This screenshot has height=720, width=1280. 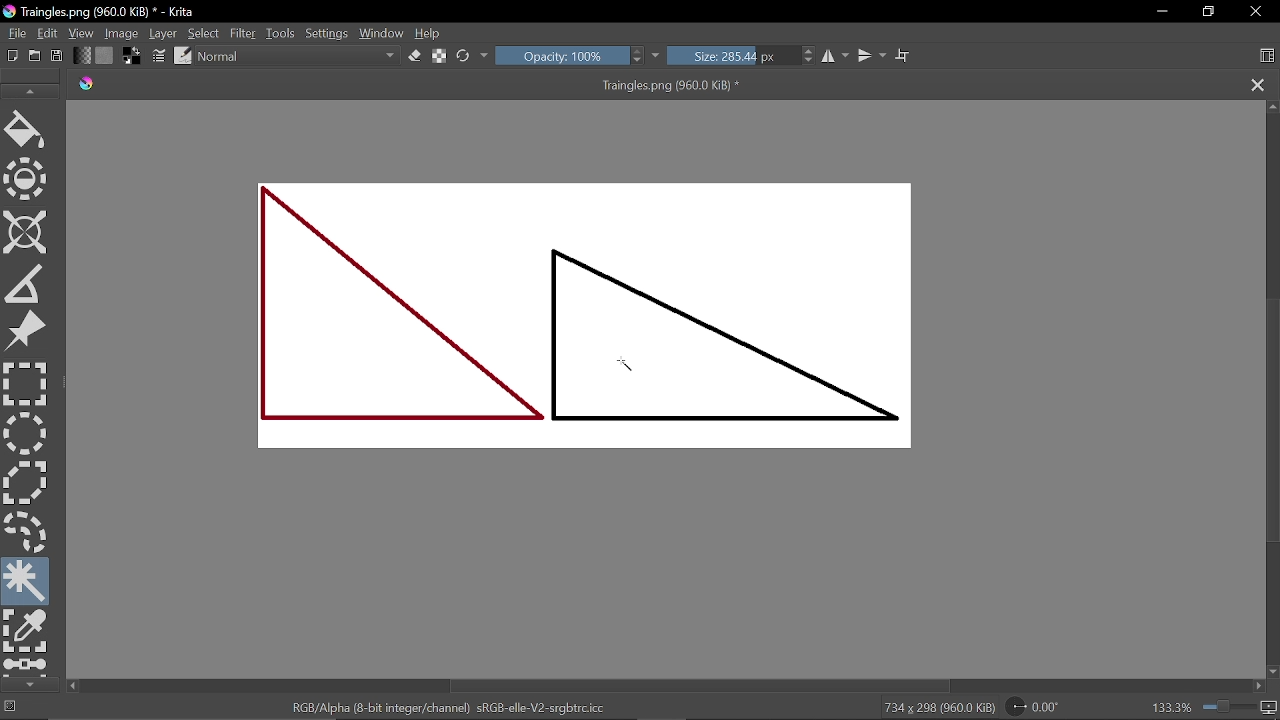 What do you see at coordinates (24, 285) in the screenshot?
I see `Measure the distance between two points` at bounding box center [24, 285].